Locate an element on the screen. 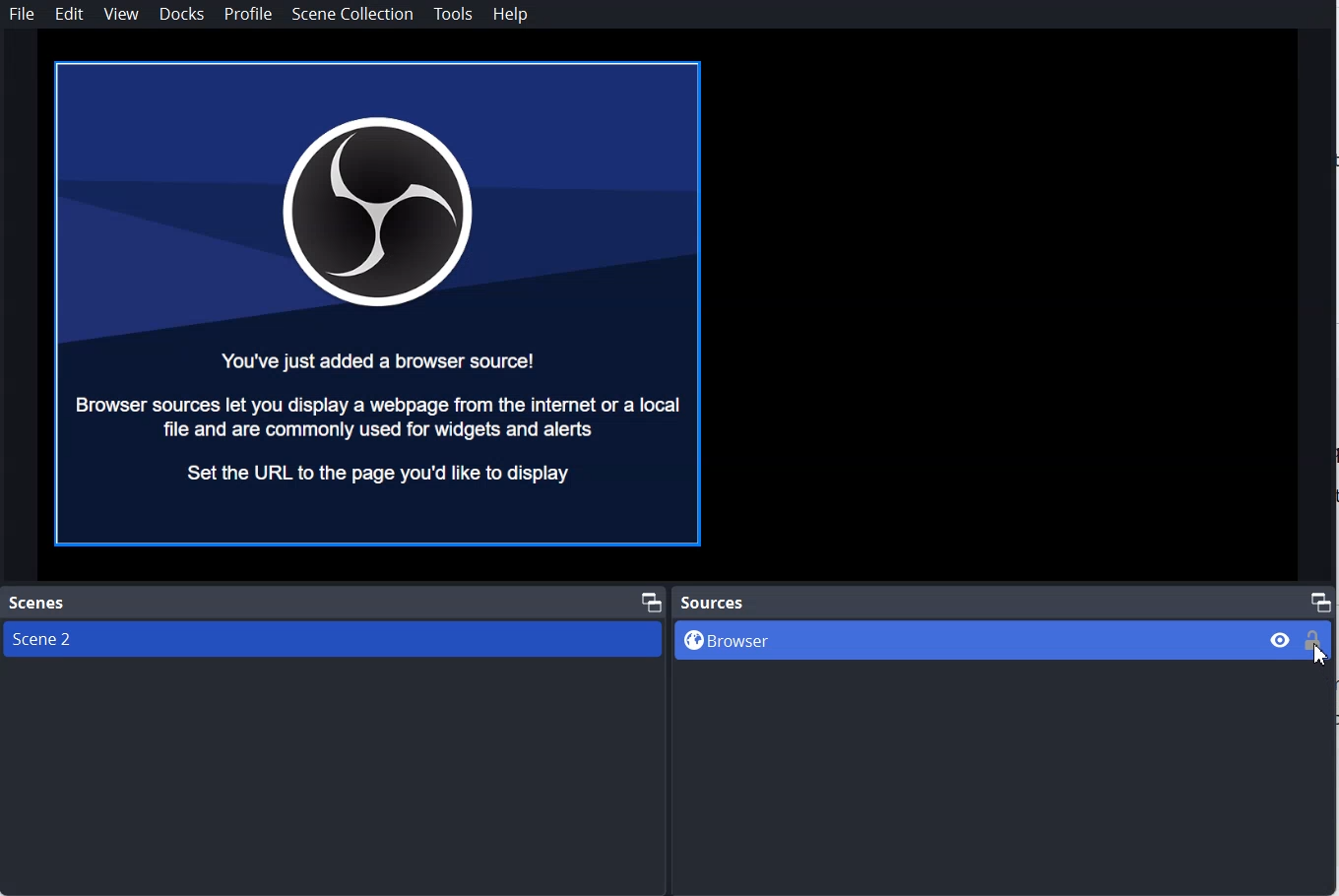  Eye is located at coordinates (1281, 640).